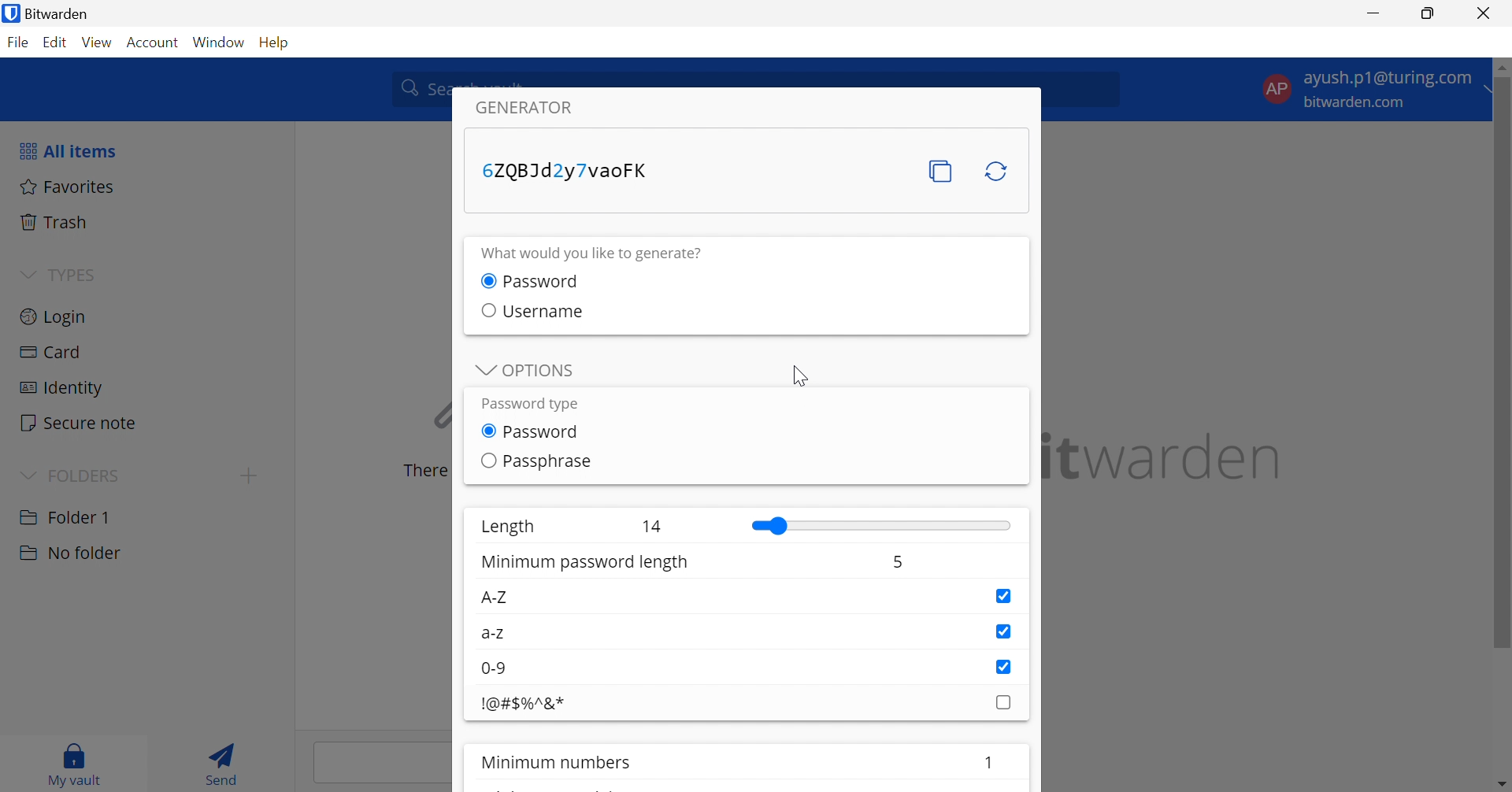  Describe the element at coordinates (484, 309) in the screenshot. I see `Checkbox` at that location.